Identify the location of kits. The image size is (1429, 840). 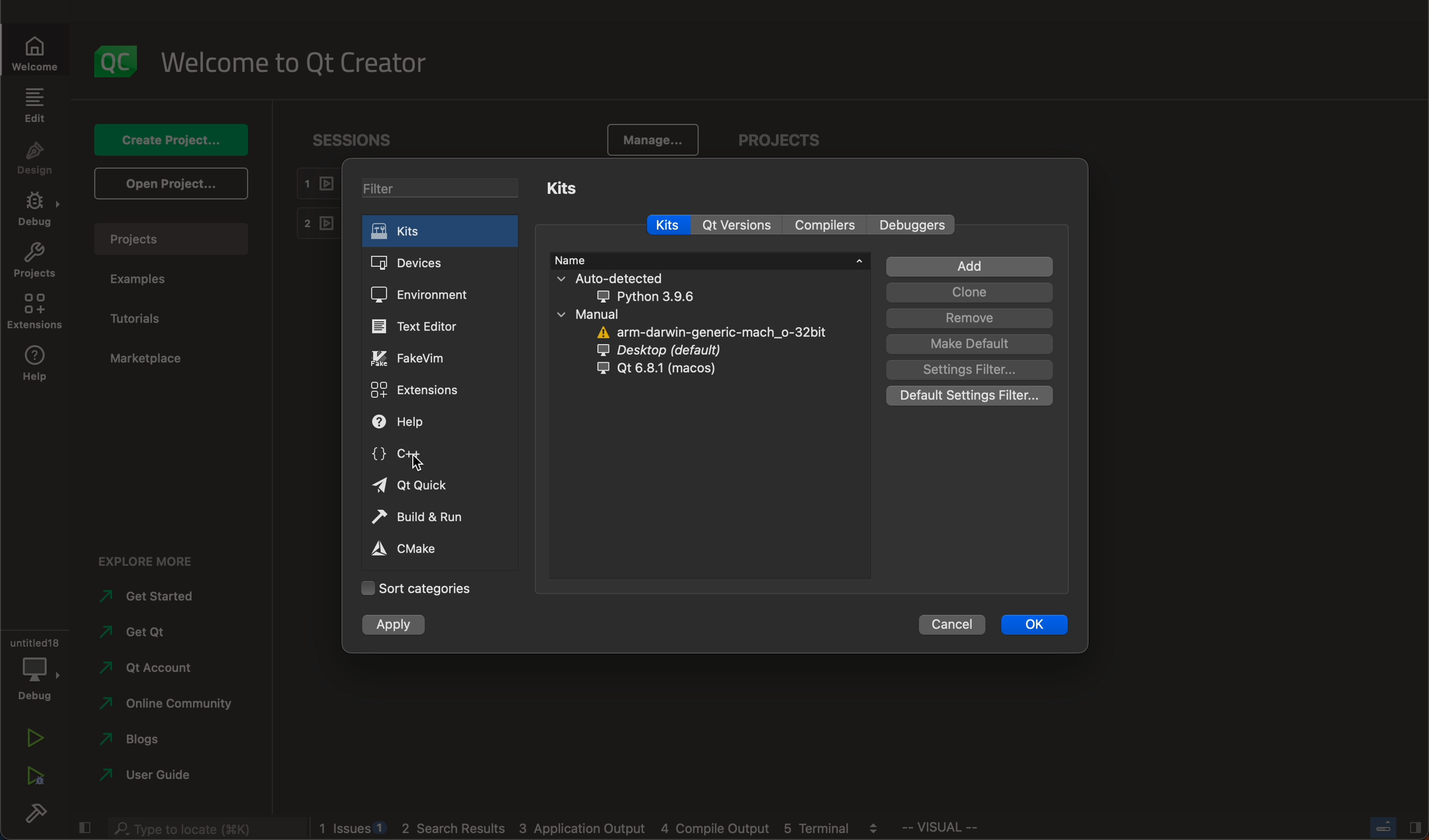
(438, 231).